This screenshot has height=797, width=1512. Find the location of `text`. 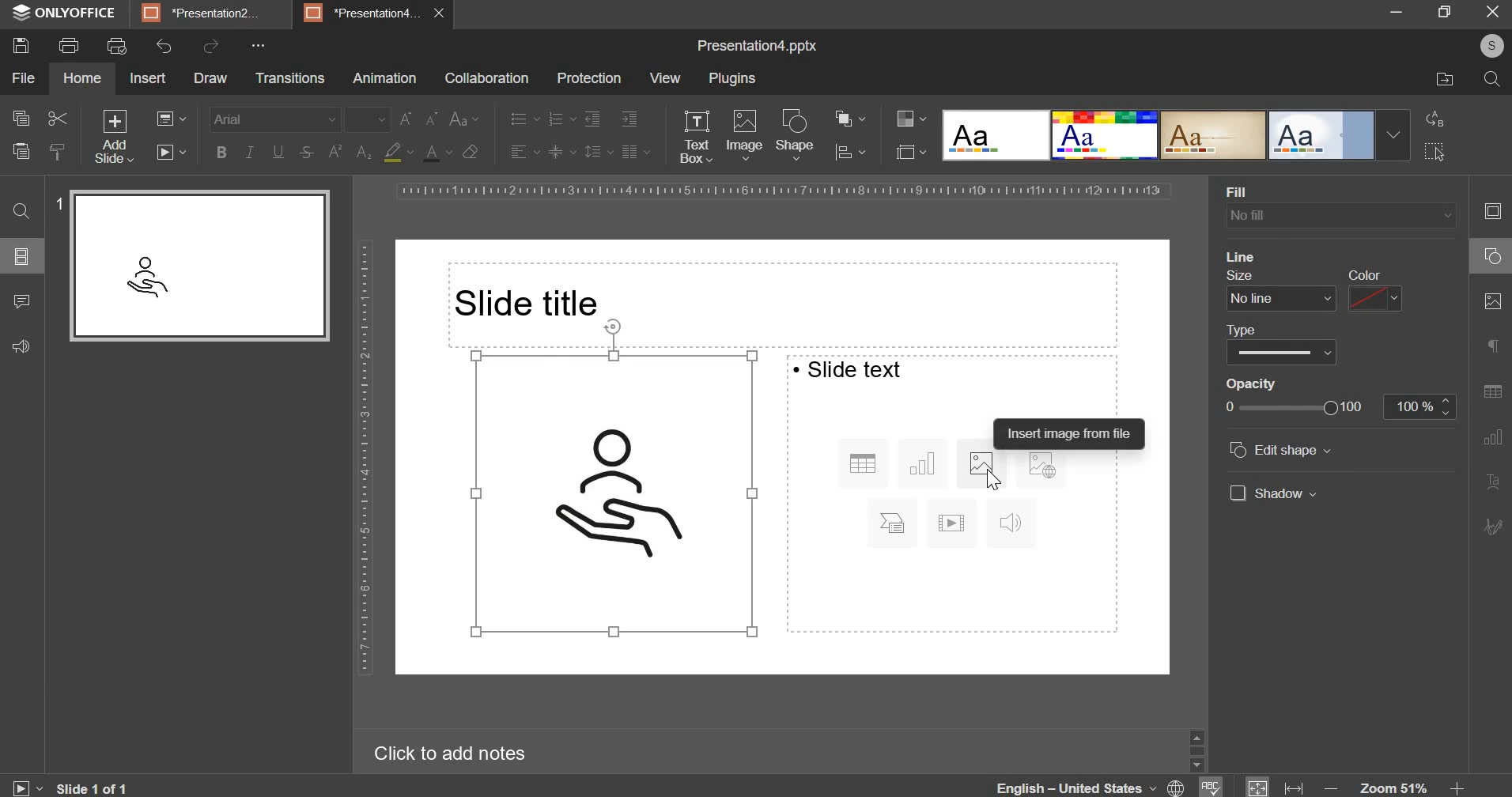

text is located at coordinates (851, 368).